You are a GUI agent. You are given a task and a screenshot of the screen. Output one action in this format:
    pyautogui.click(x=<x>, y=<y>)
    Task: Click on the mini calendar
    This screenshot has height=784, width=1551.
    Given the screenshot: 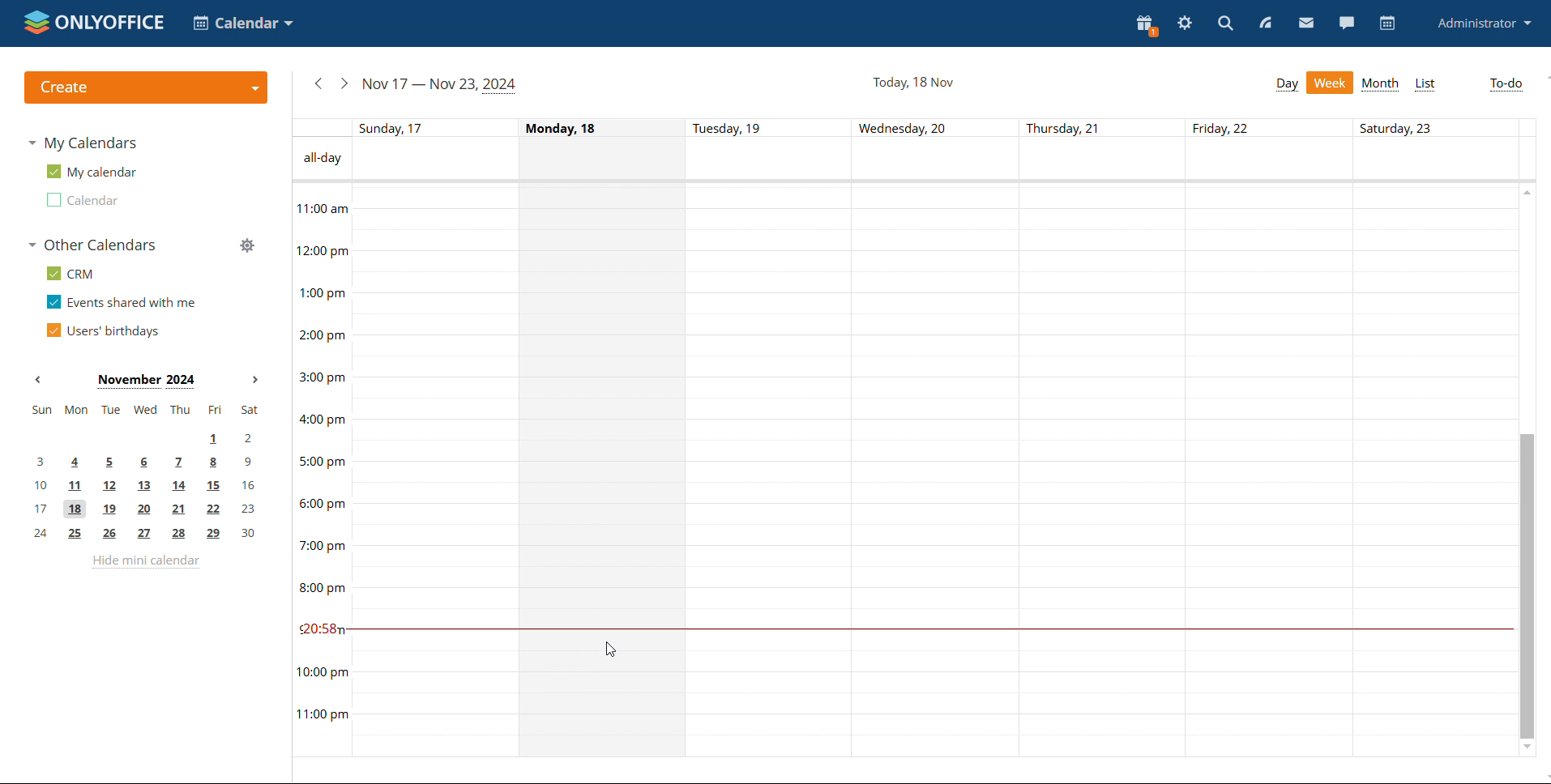 What is the action you would take?
    pyautogui.click(x=145, y=472)
    